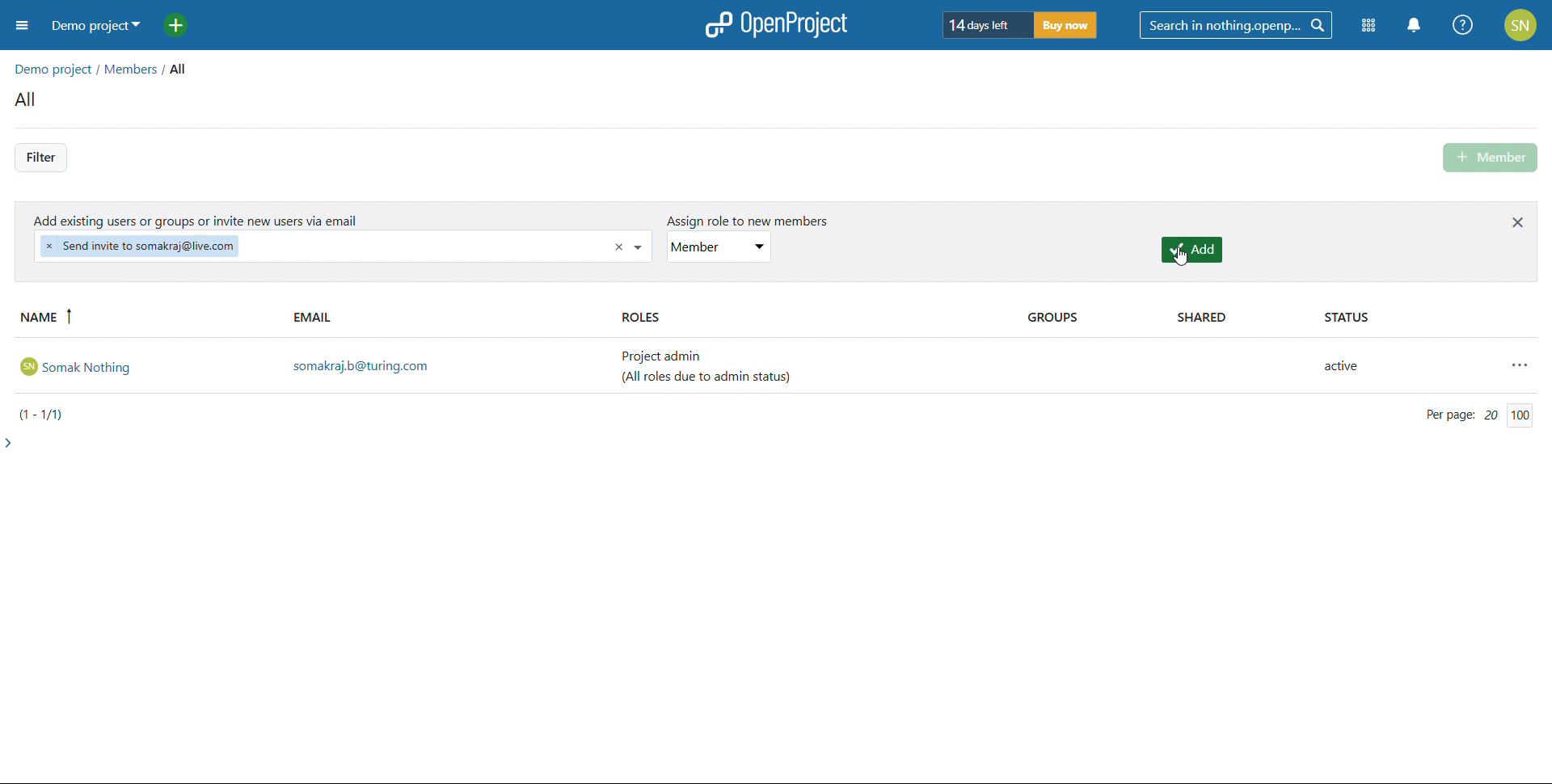 This screenshot has height=784, width=1552. I want to click on actions, so click(1522, 365).